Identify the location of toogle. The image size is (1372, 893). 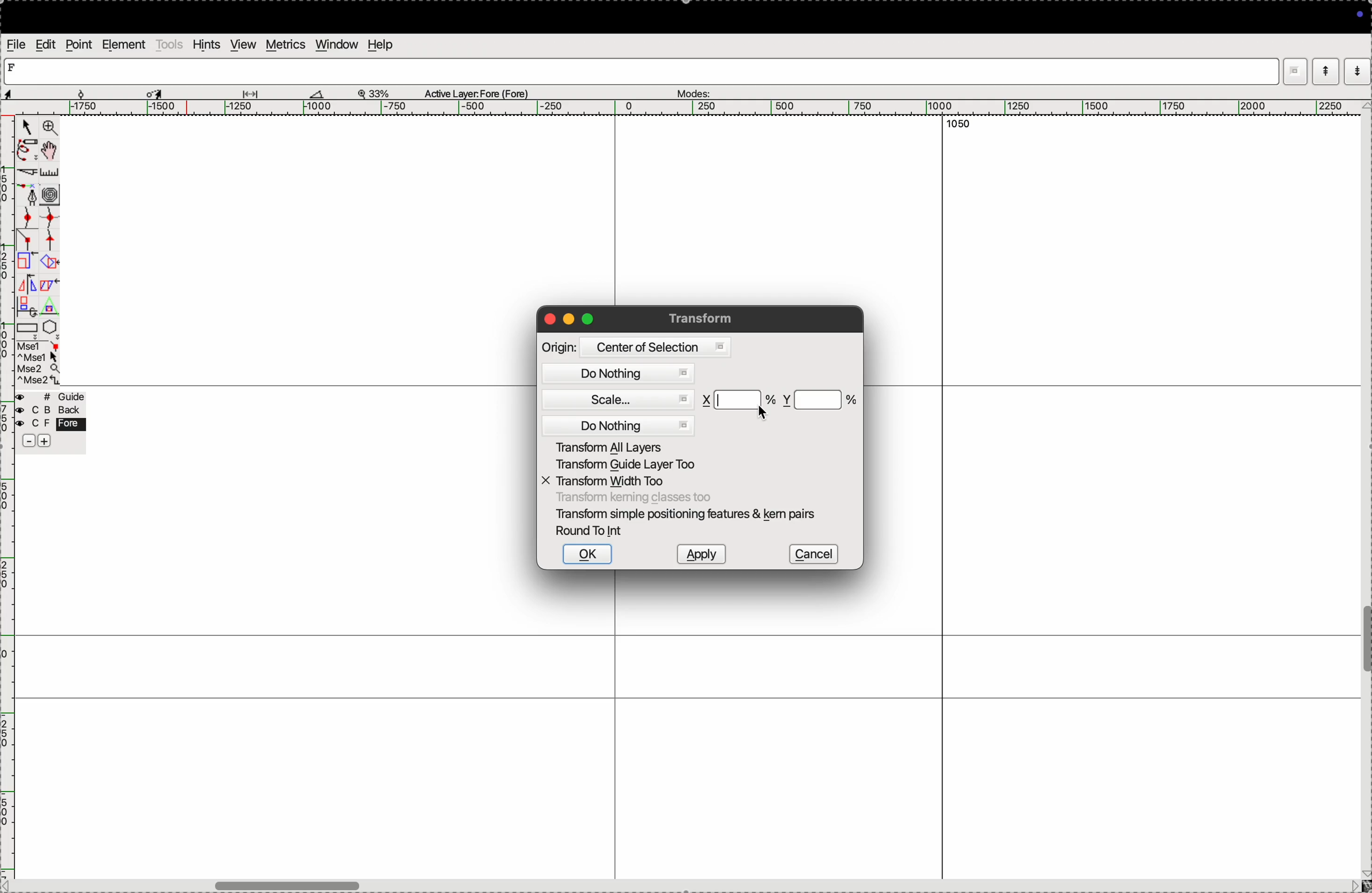
(311, 883).